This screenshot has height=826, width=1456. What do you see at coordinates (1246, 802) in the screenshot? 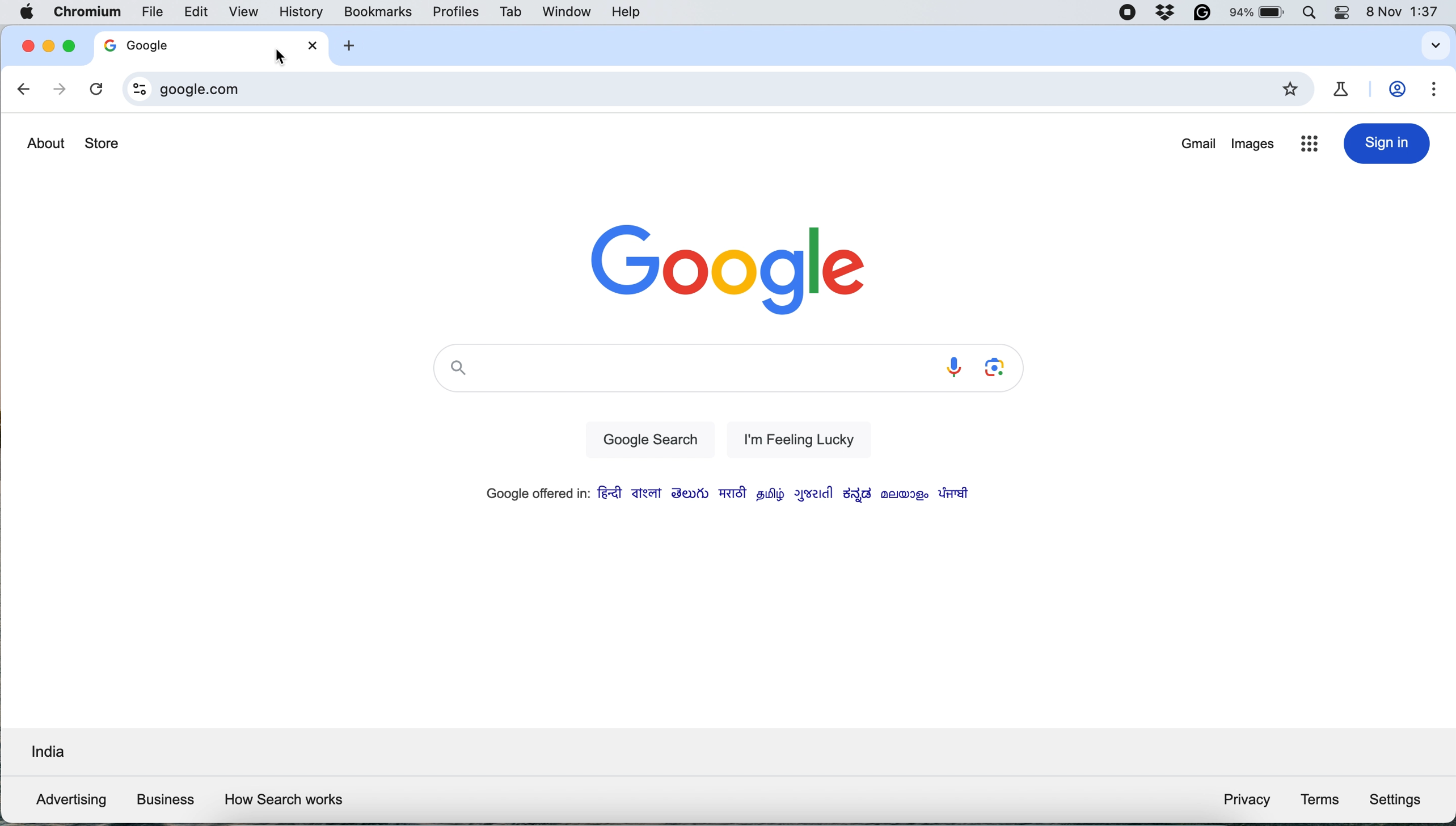
I see `privacy` at bounding box center [1246, 802].